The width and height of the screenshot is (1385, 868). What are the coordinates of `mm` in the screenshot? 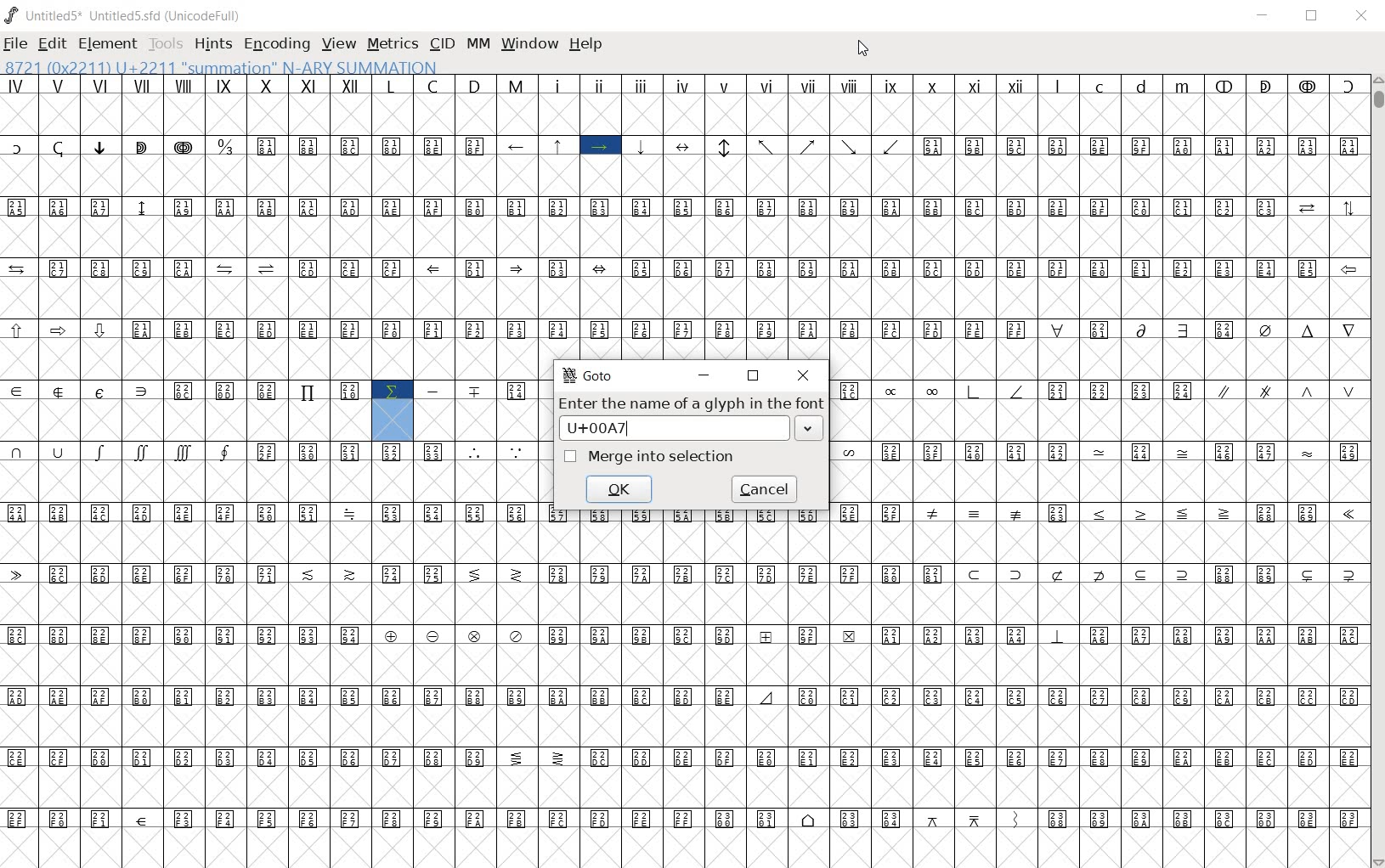 It's located at (476, 44).